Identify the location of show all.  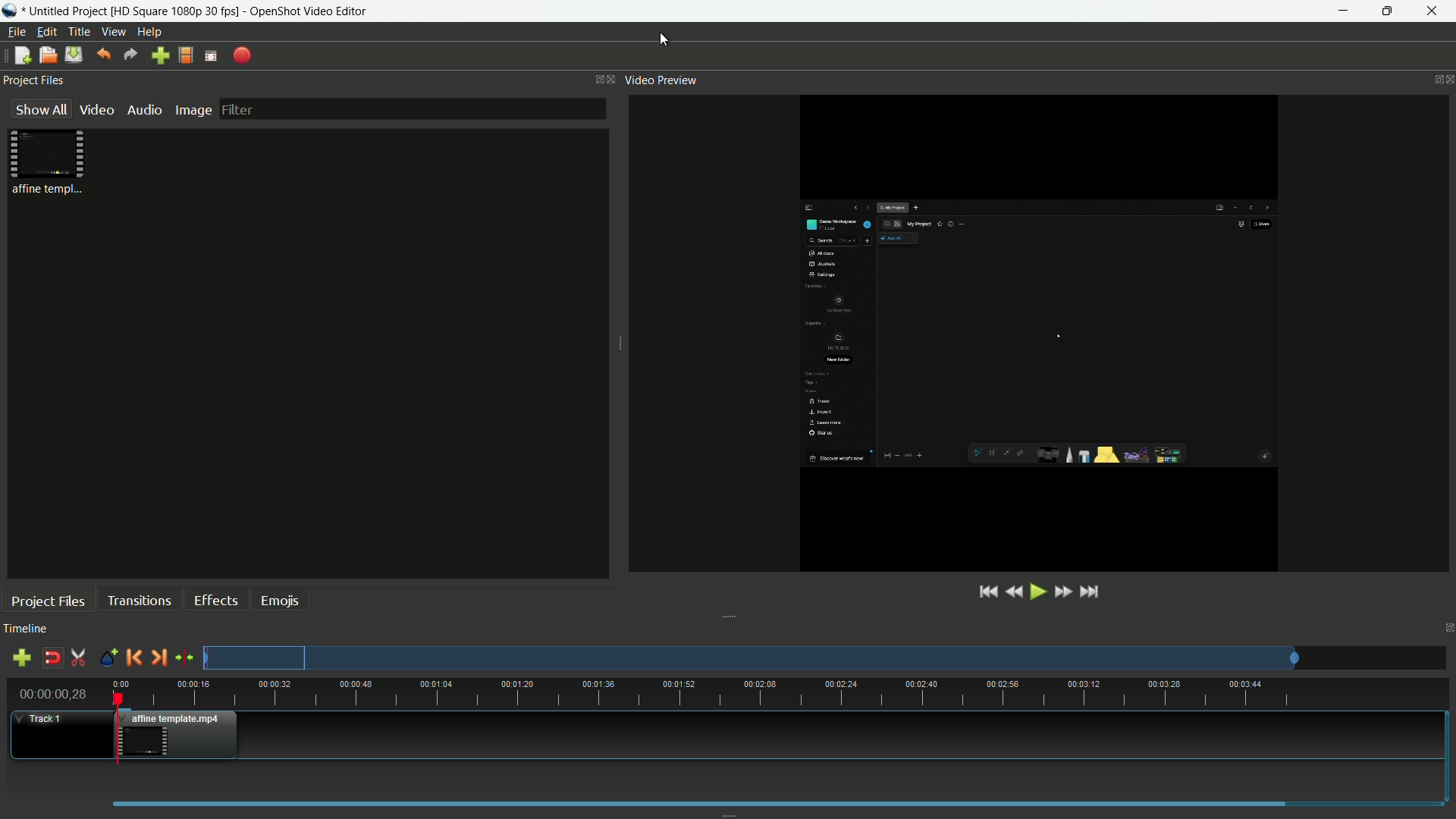
(41, 108).